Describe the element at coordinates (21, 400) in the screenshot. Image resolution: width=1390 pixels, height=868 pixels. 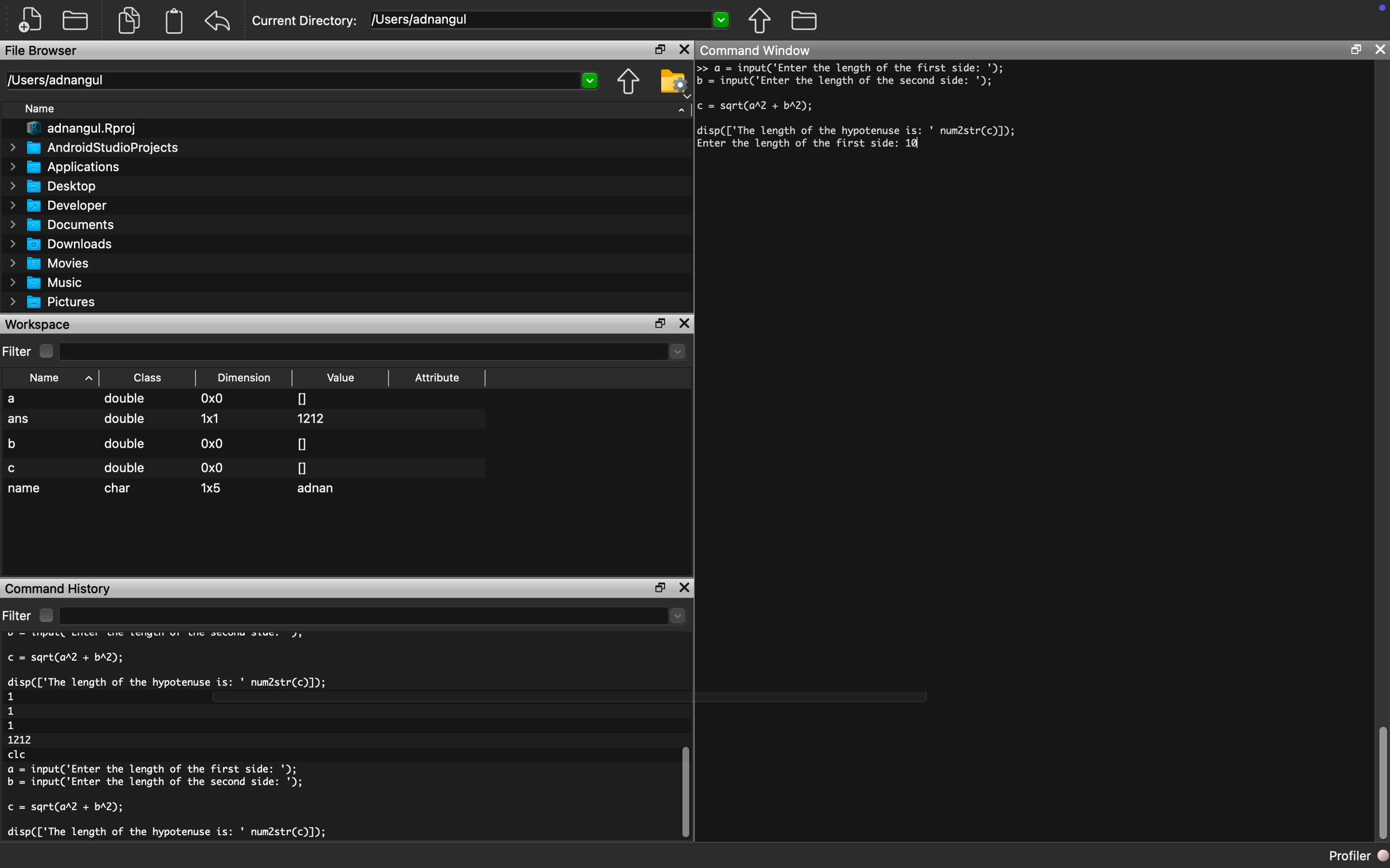
I see `a` at that location.